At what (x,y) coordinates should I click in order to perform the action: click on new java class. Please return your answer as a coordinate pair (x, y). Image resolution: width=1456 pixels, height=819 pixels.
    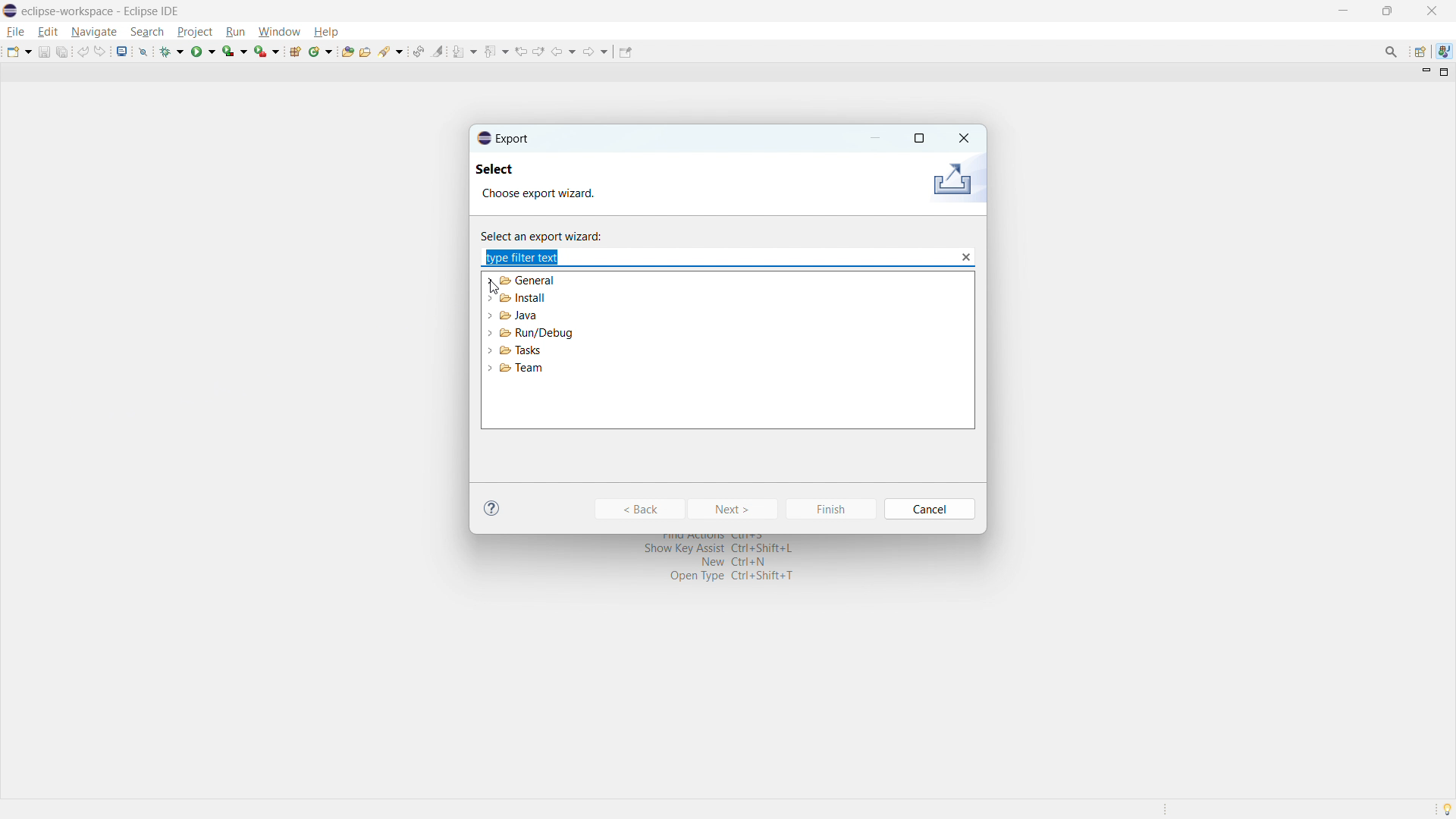
    Looking at the image, I should click on (321, 52).